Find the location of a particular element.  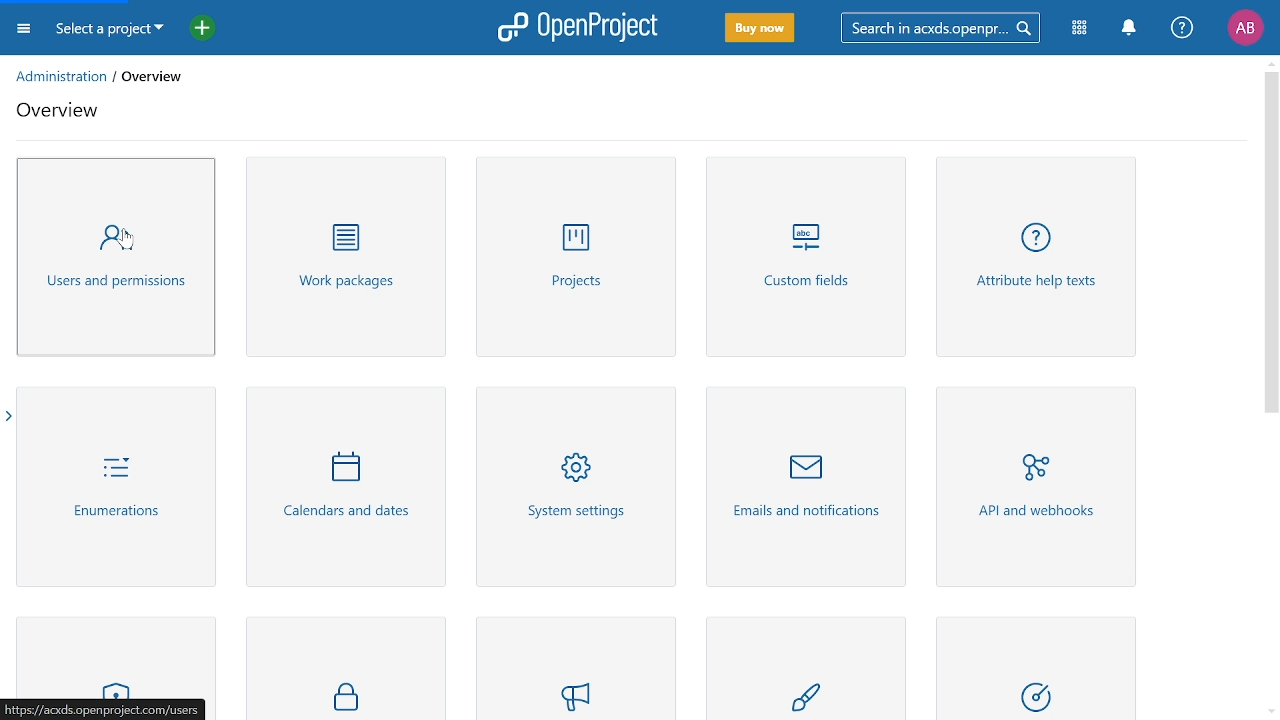

Notification is located at coordinates (1128, 28).